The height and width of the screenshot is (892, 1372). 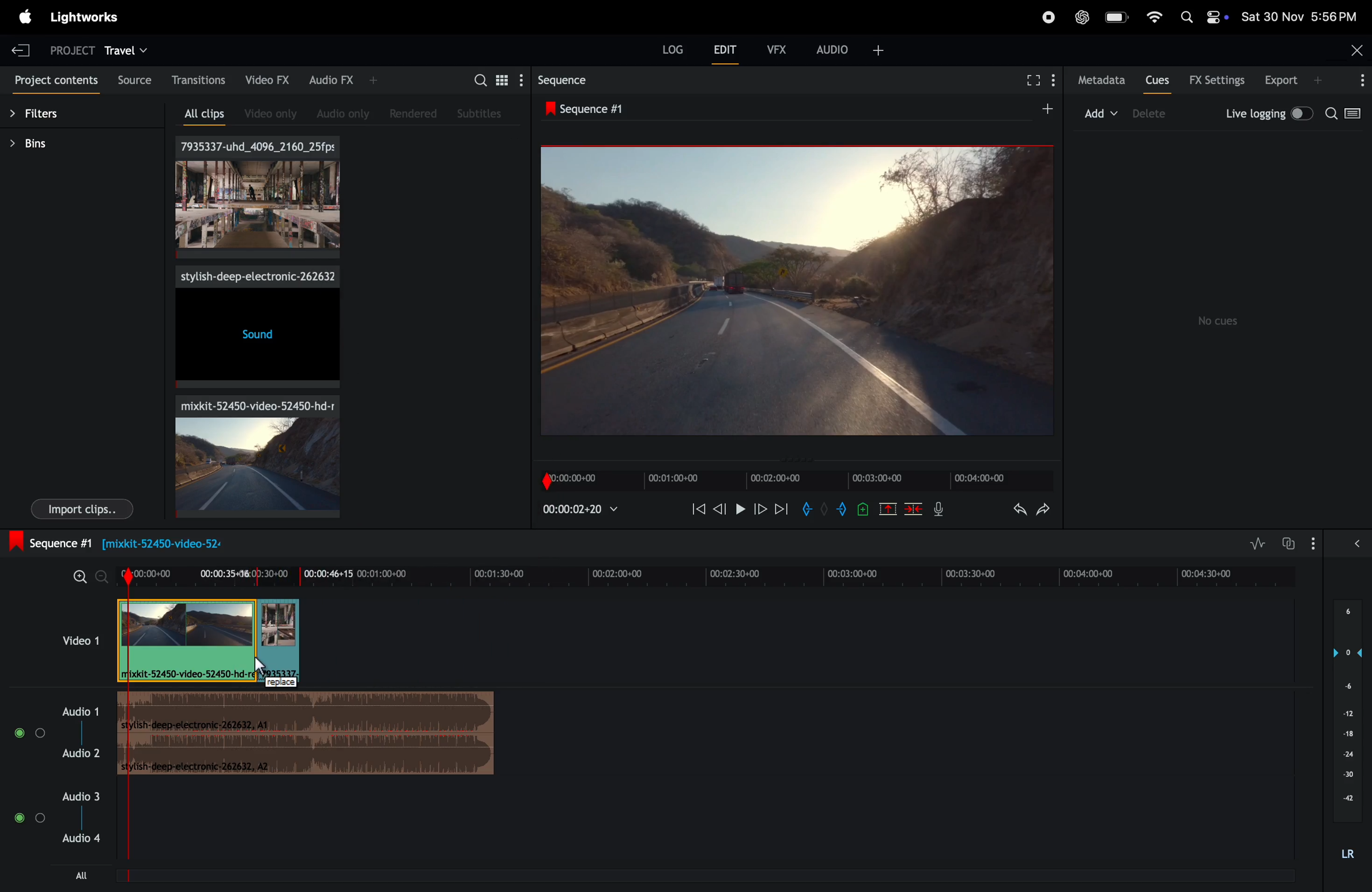 I want to click on fullscreen, so click(x=1036, y=80).